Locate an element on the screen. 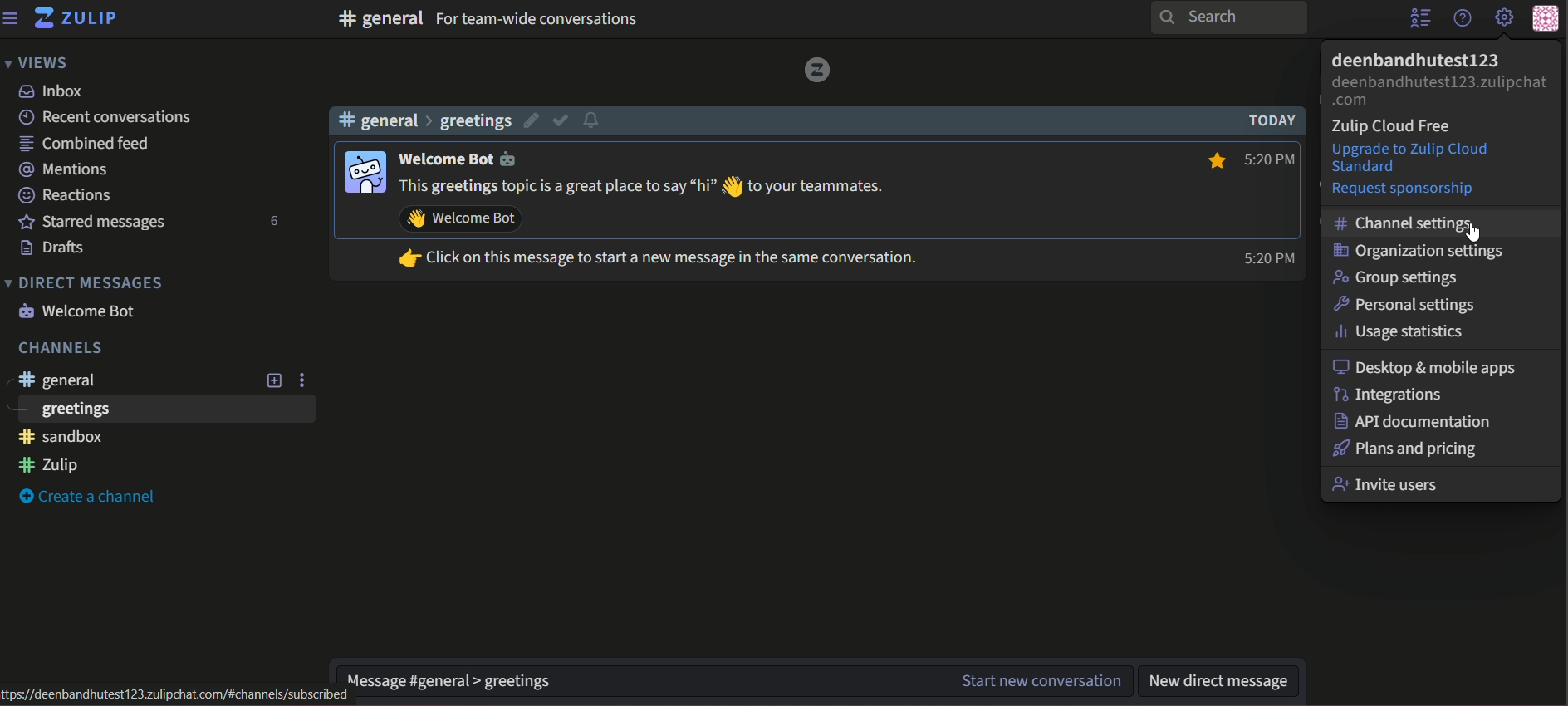 Image resolution: width=1568 pixels, height=706 pixels. standard is located at coordinates (1370, 168).